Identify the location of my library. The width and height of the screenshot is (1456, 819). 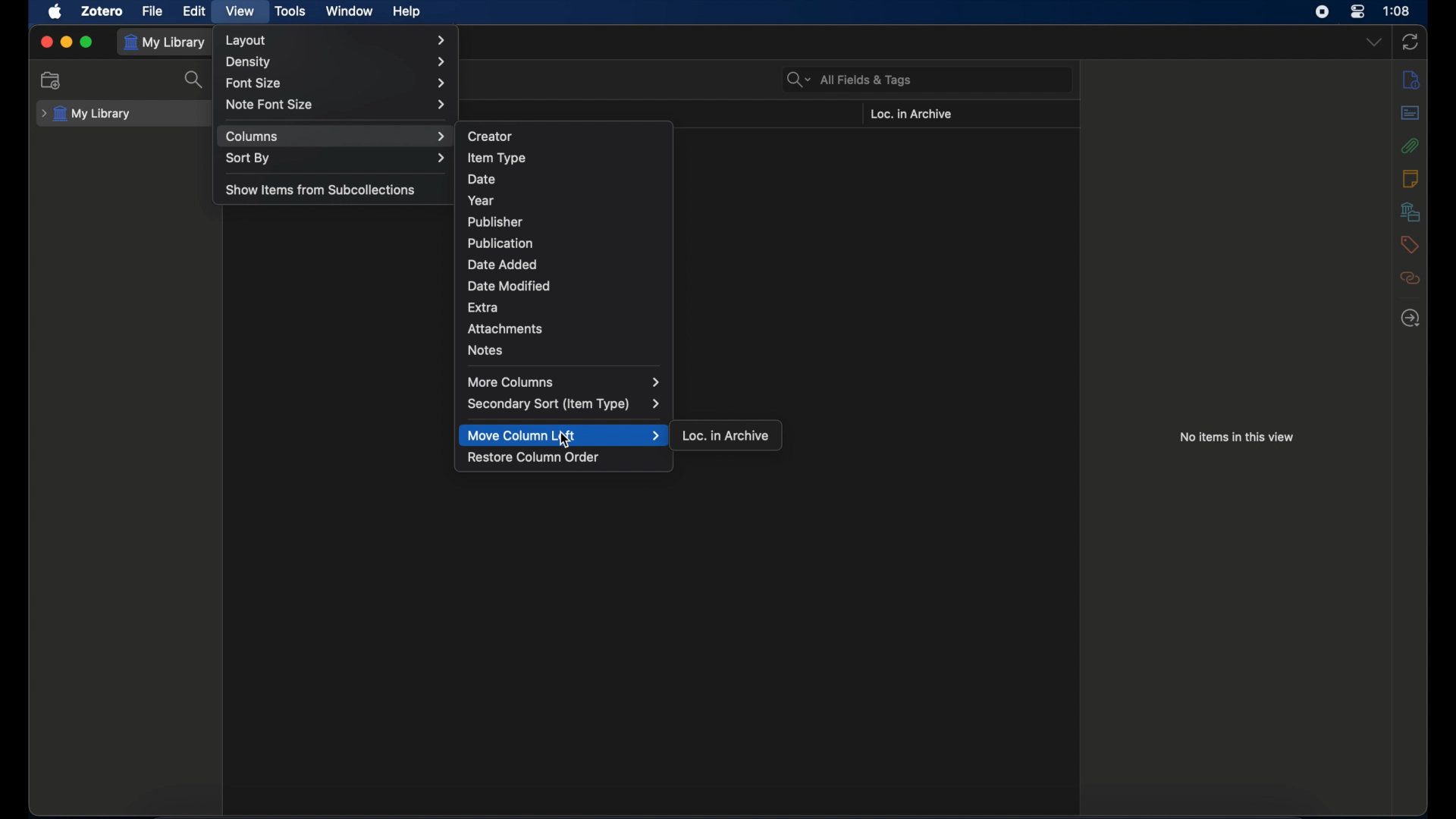
(86, 115).